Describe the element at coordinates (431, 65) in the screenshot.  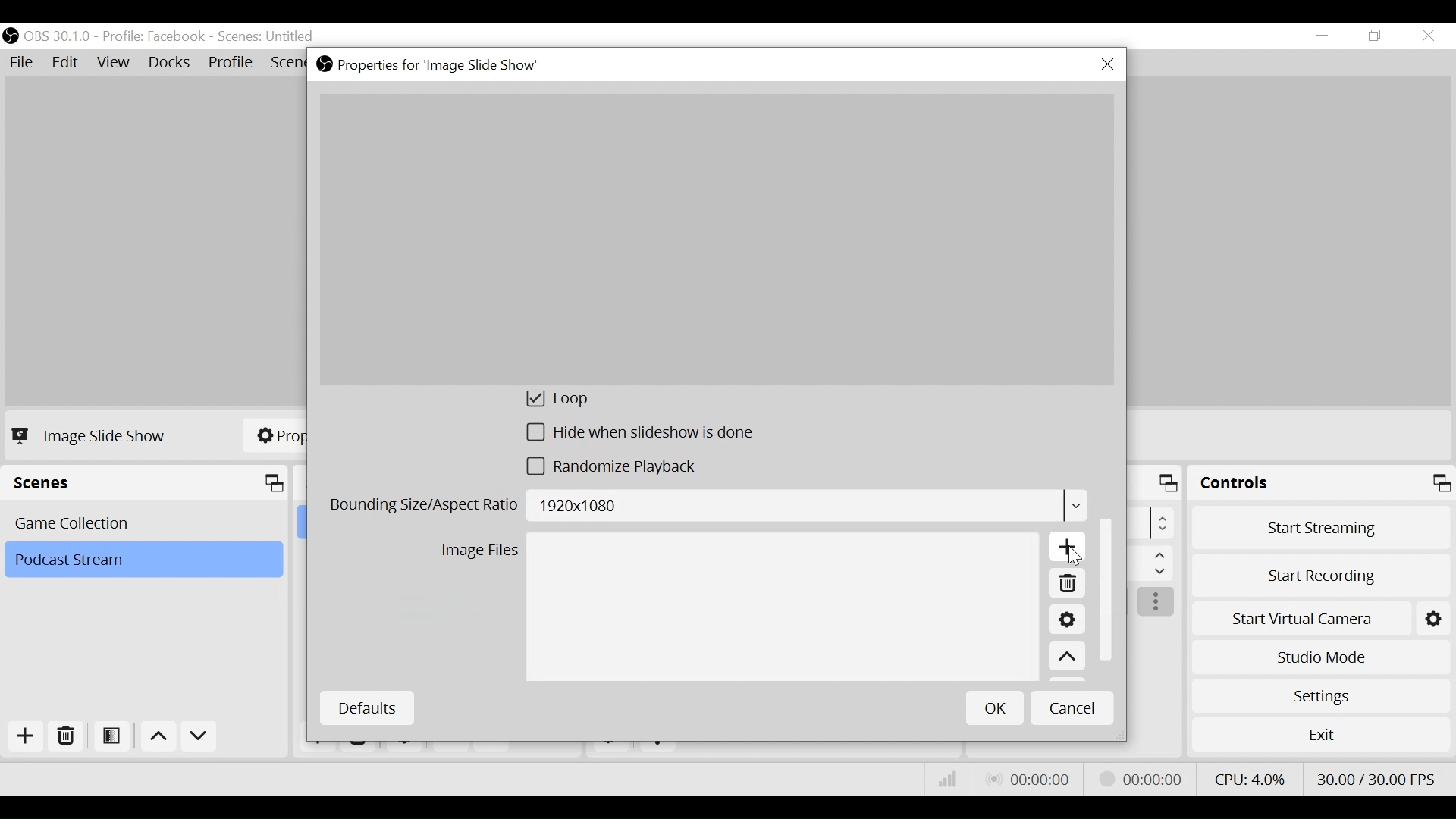
I see `Properties for Image Slideshow` at that location.